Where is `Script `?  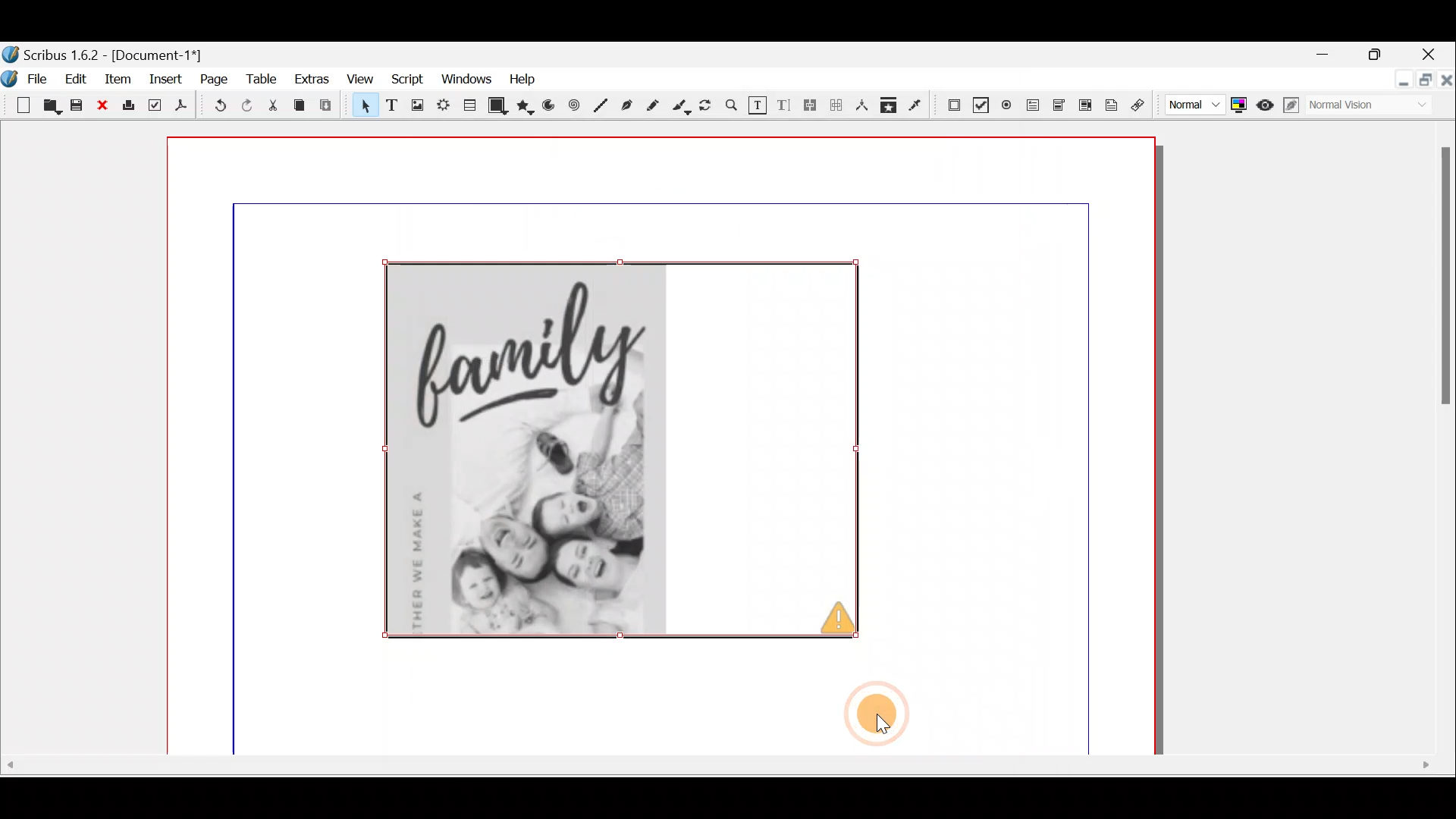
Script  is located at coordinates (412, 80).